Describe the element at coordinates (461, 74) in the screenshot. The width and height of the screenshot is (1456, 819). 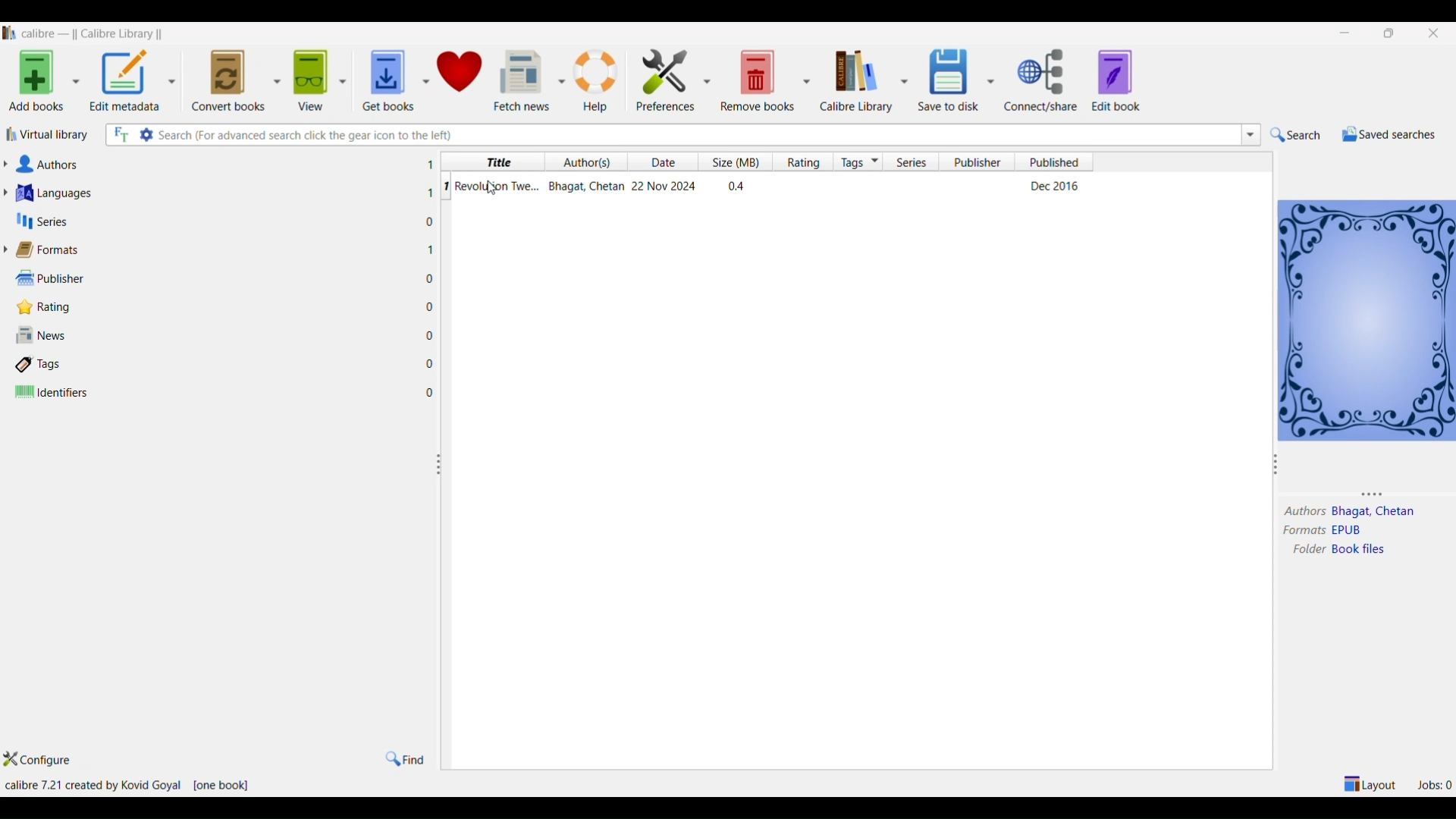
I see `donate to calibre` at that location.